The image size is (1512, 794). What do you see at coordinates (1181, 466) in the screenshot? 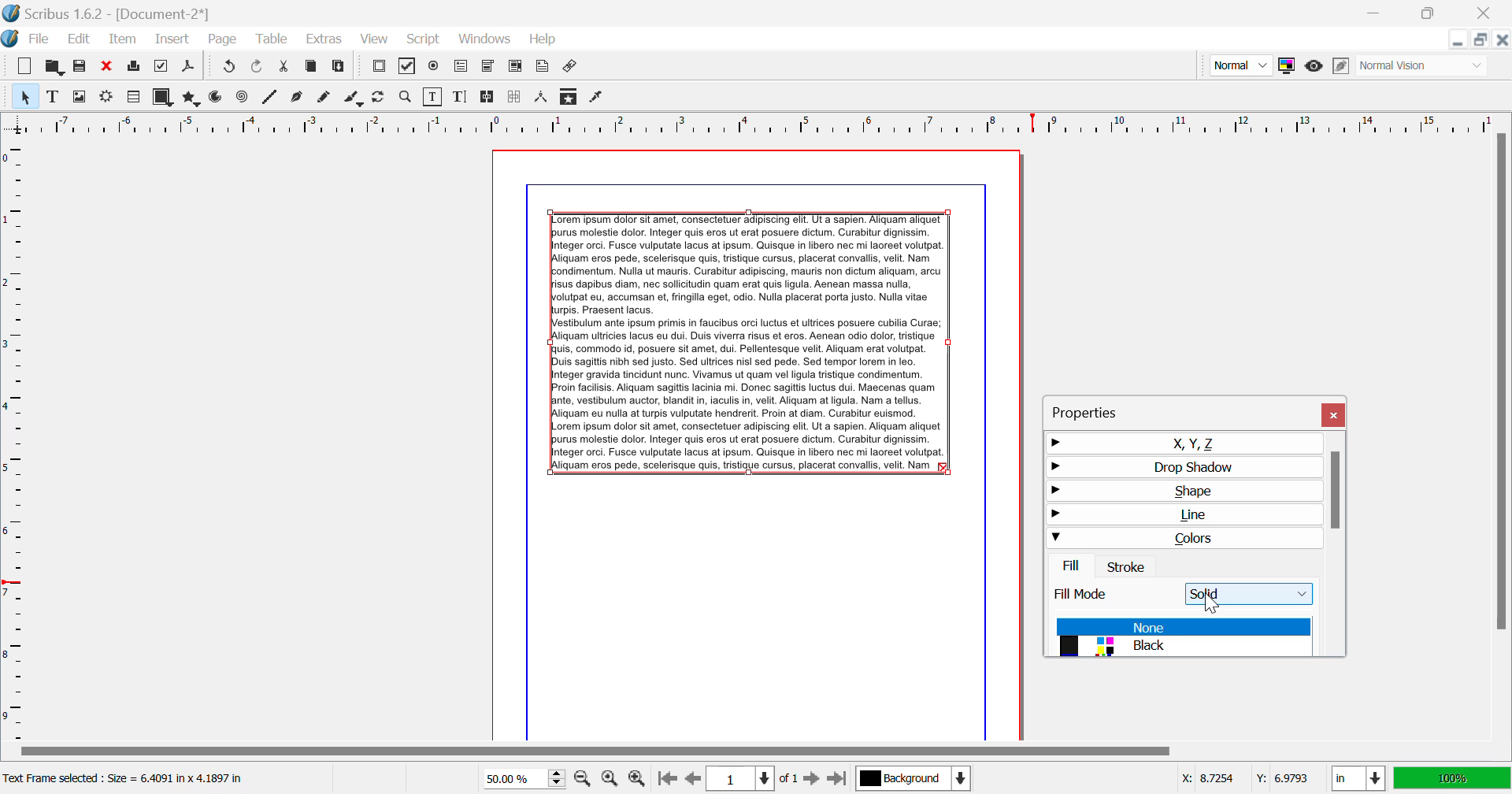
I see `Drop Shadow` at bounding box center [1181, 466].